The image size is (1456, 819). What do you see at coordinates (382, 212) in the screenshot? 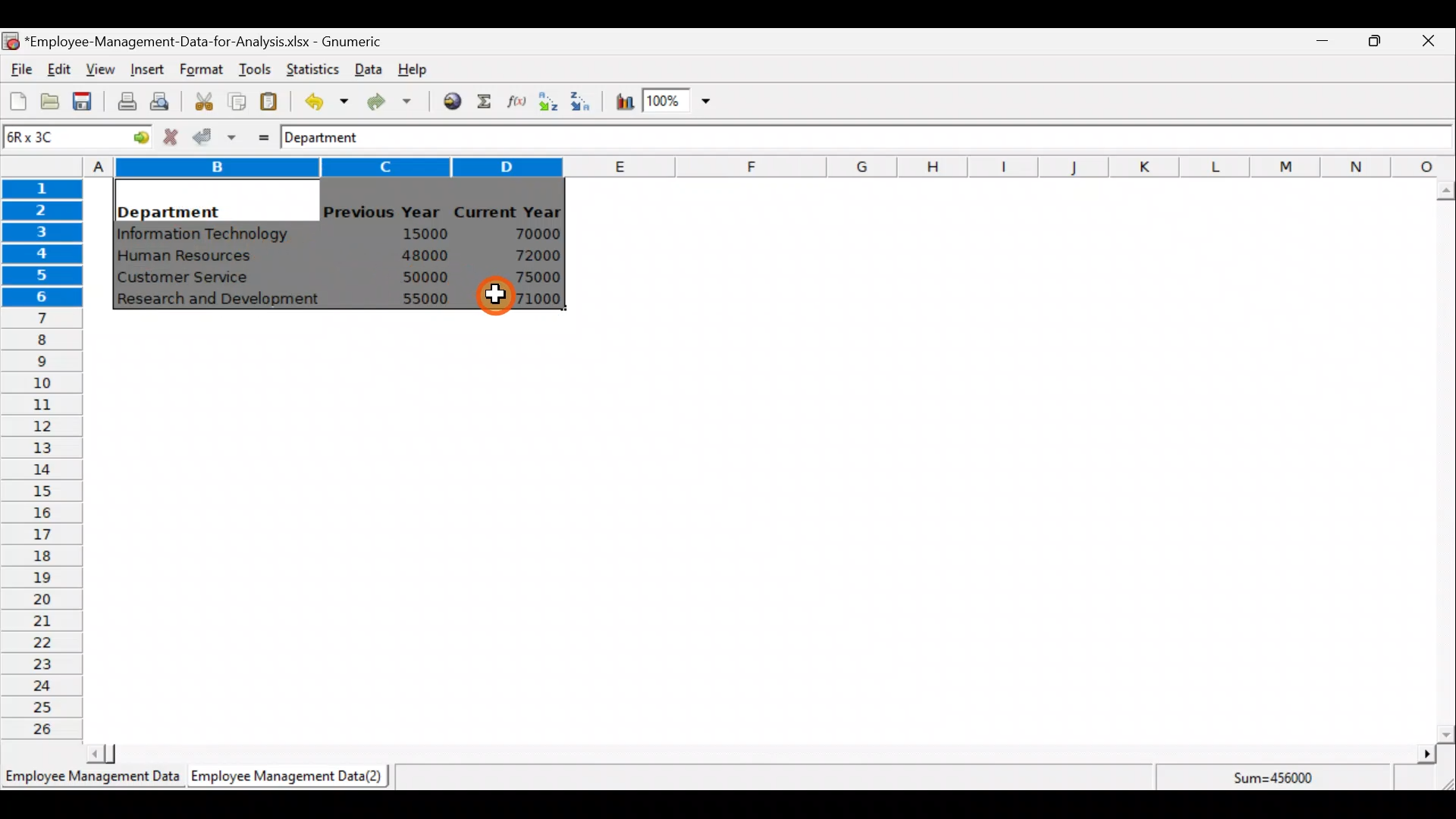
I see `Previous Year` at bounding box center [382, 212].